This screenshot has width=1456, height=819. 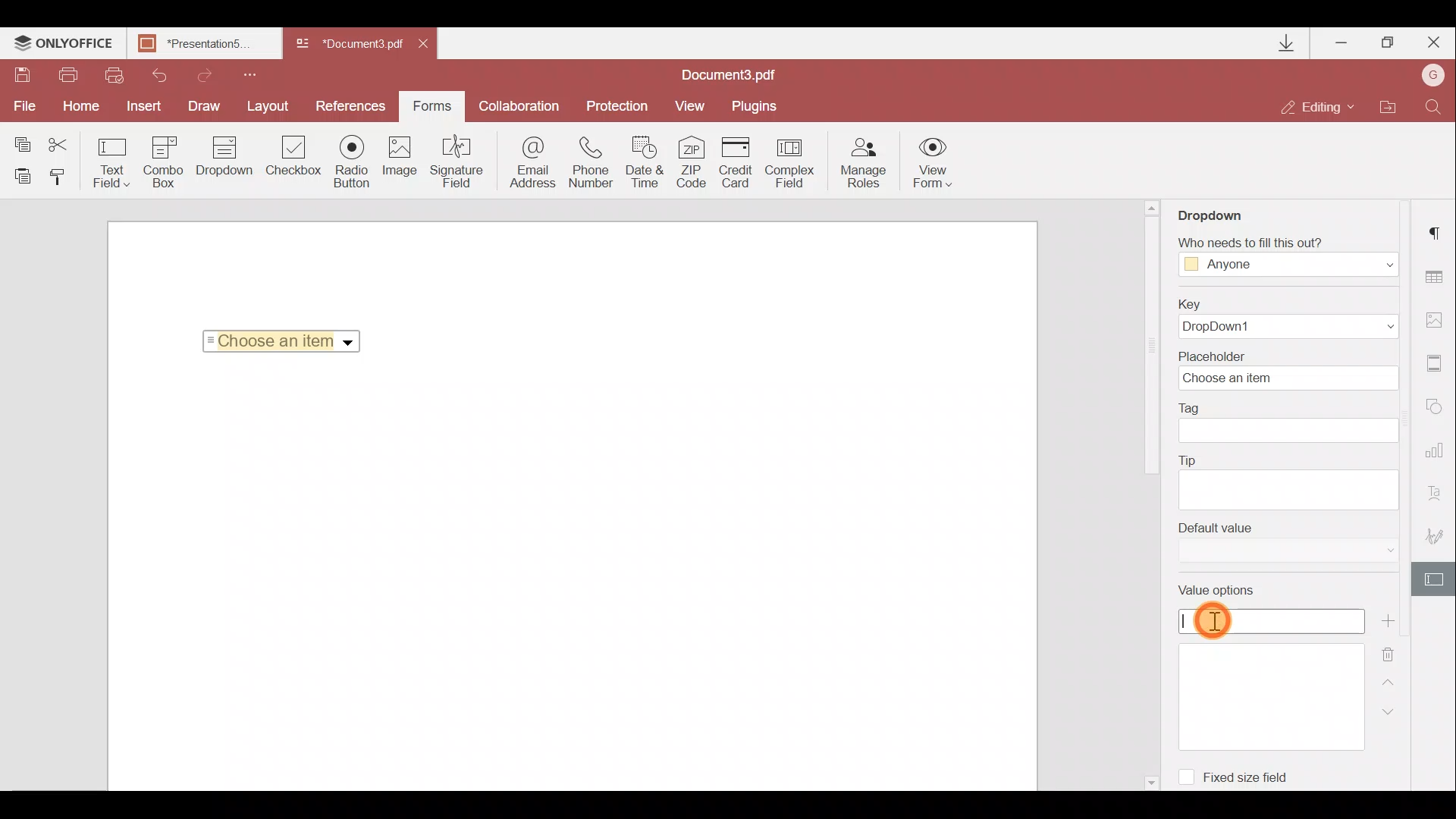 What do you see at coordinates (291, 158) in the screenshot?
I see `Checkbox` at bounding box center [291, 158].